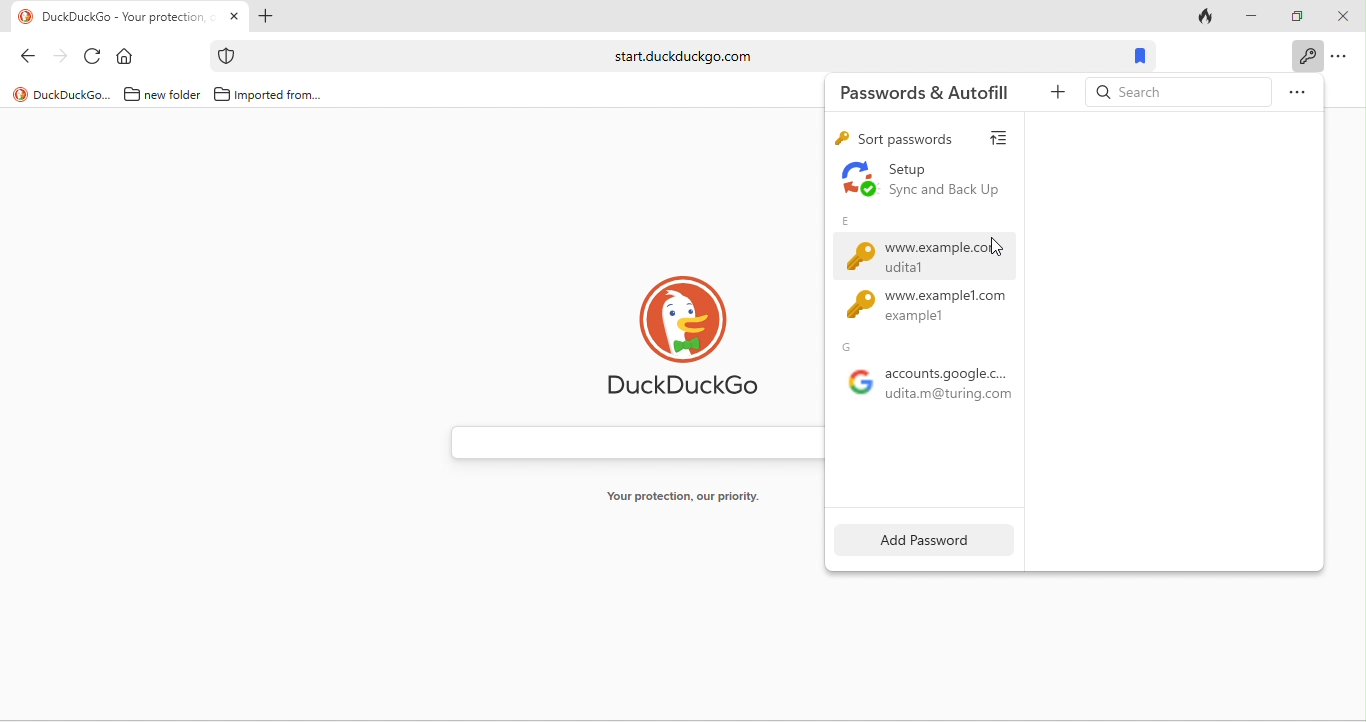 The width and height of the screenshot is (1366, 722). I want to click on option, so click(1343, 58).